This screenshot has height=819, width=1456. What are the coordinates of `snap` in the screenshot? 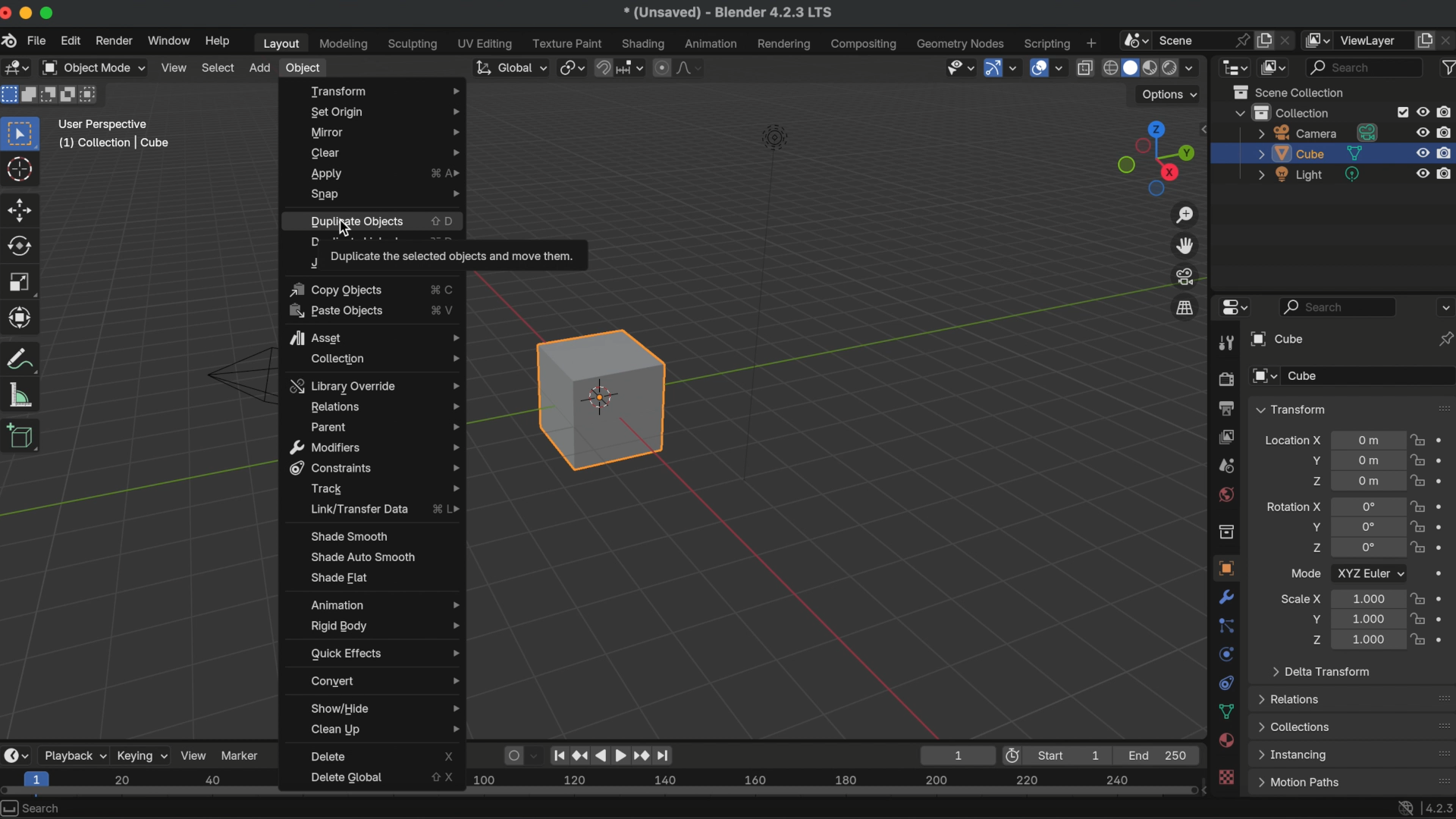 It's located at (604, 66).